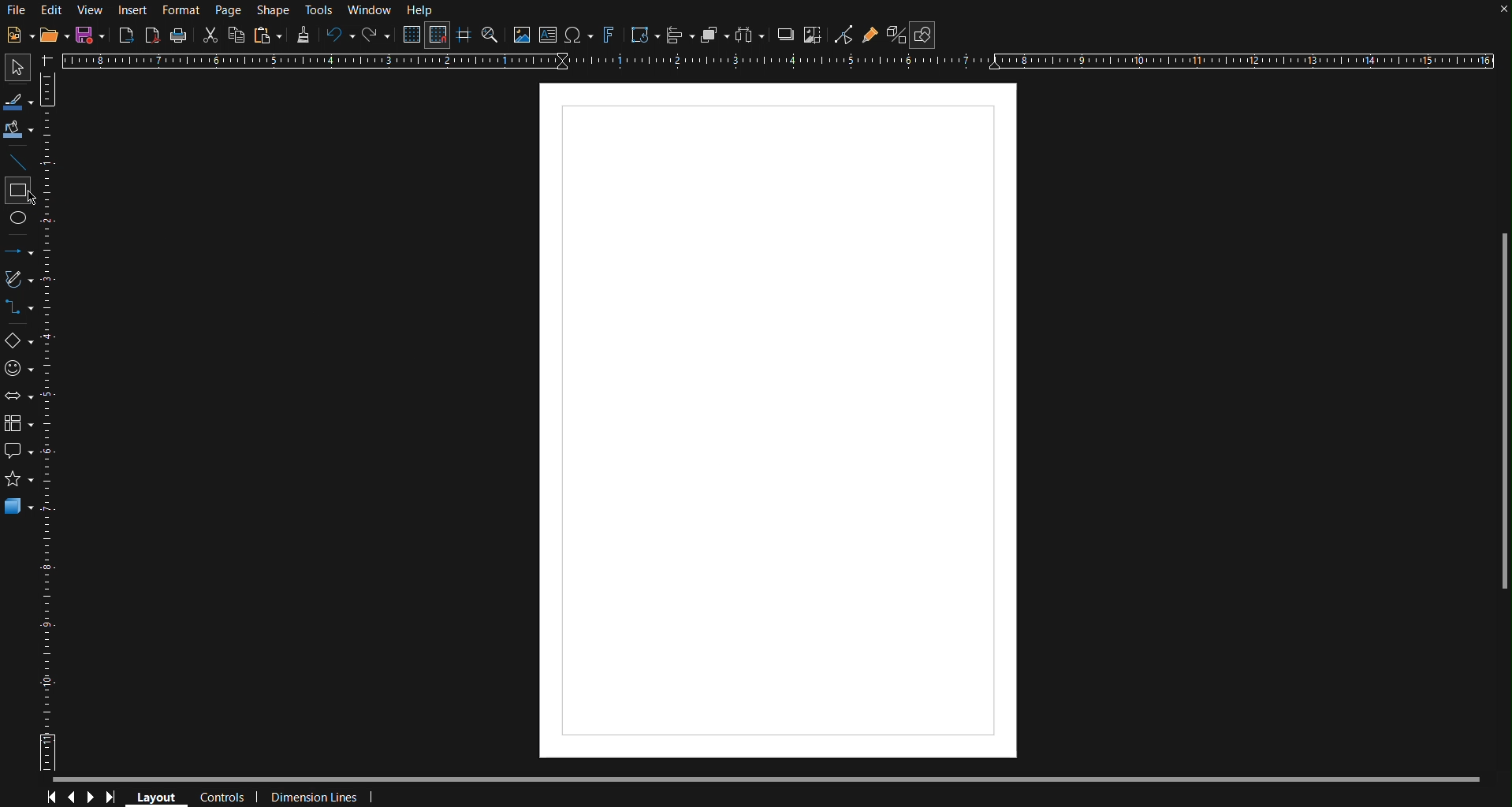 This screenshot has height=807, width=1512. Describe the element at coordinates (16, 12) in the screenshot. I see `File` at that location.